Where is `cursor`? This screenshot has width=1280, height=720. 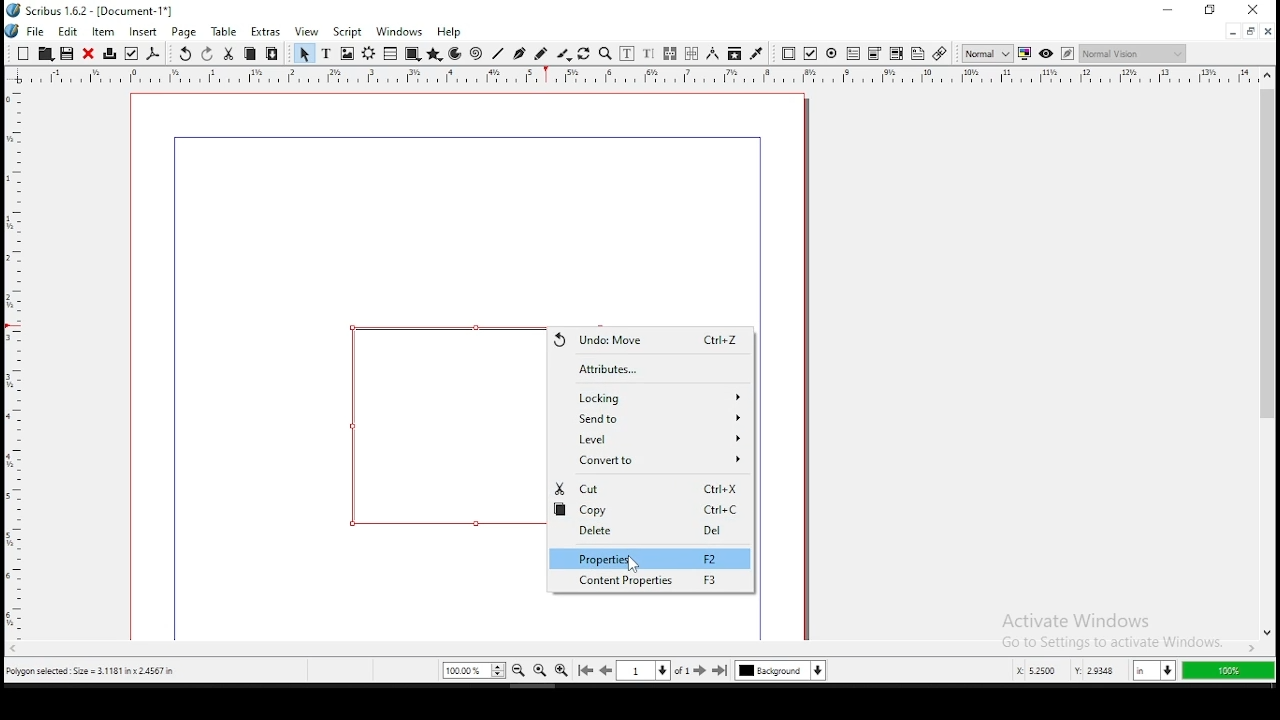 cursor is located at coordinates (631, 565).